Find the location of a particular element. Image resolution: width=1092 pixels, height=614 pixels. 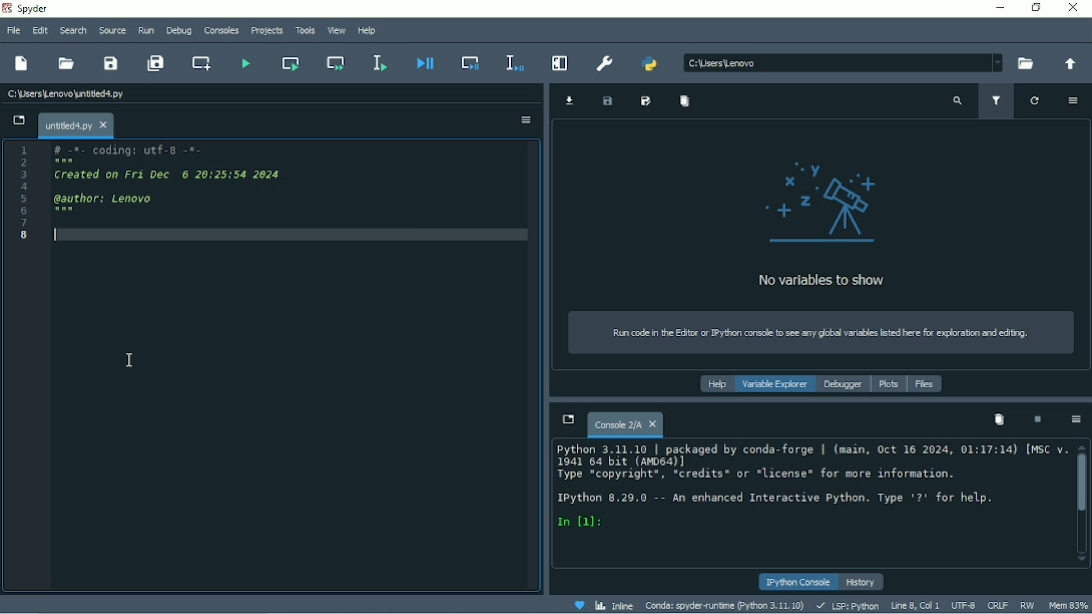

Run selection or current line is located at coordinates (380, 62).